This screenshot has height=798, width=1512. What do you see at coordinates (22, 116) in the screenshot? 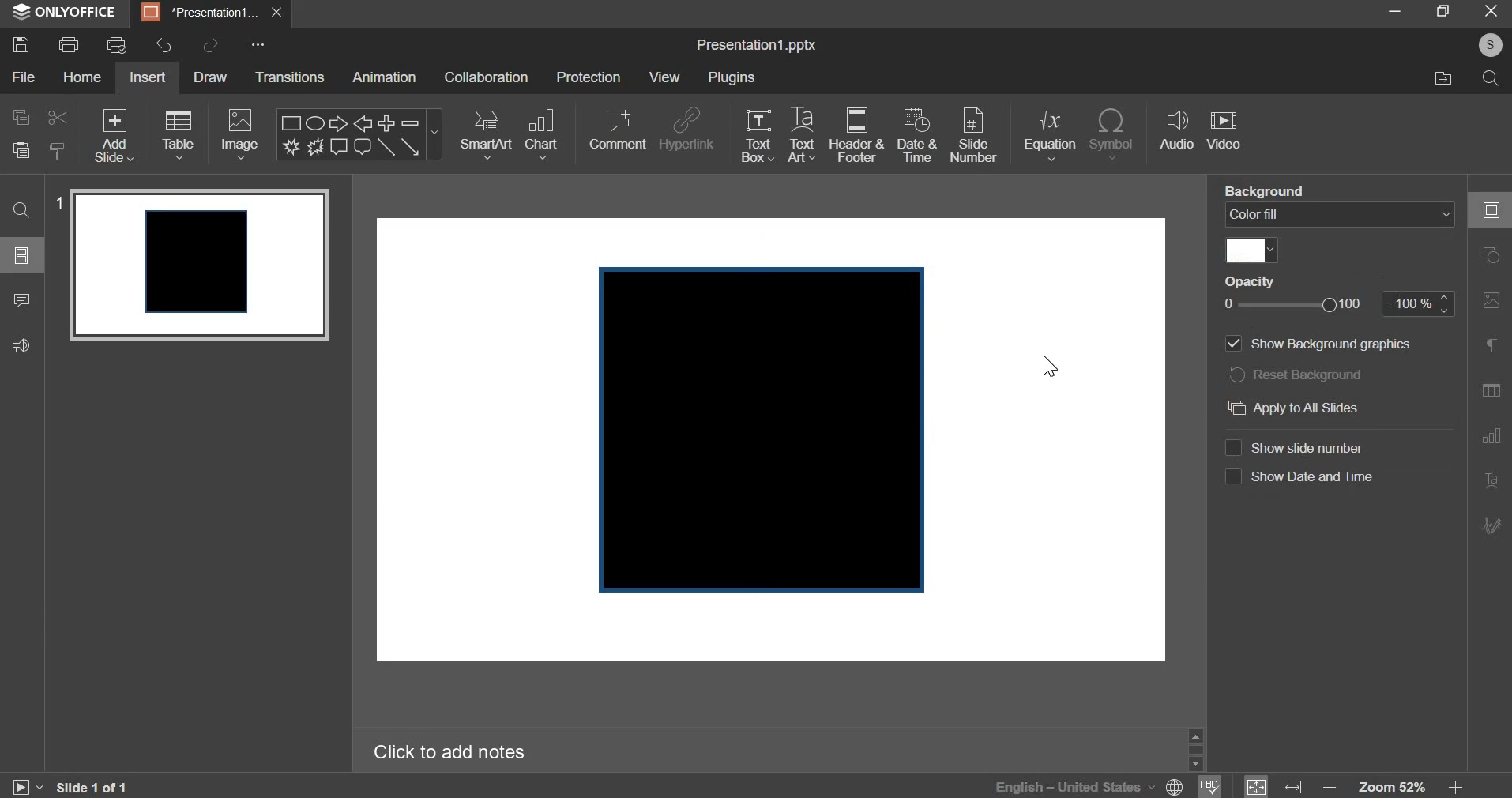
I see `copy` at bounding box center [22, 116].